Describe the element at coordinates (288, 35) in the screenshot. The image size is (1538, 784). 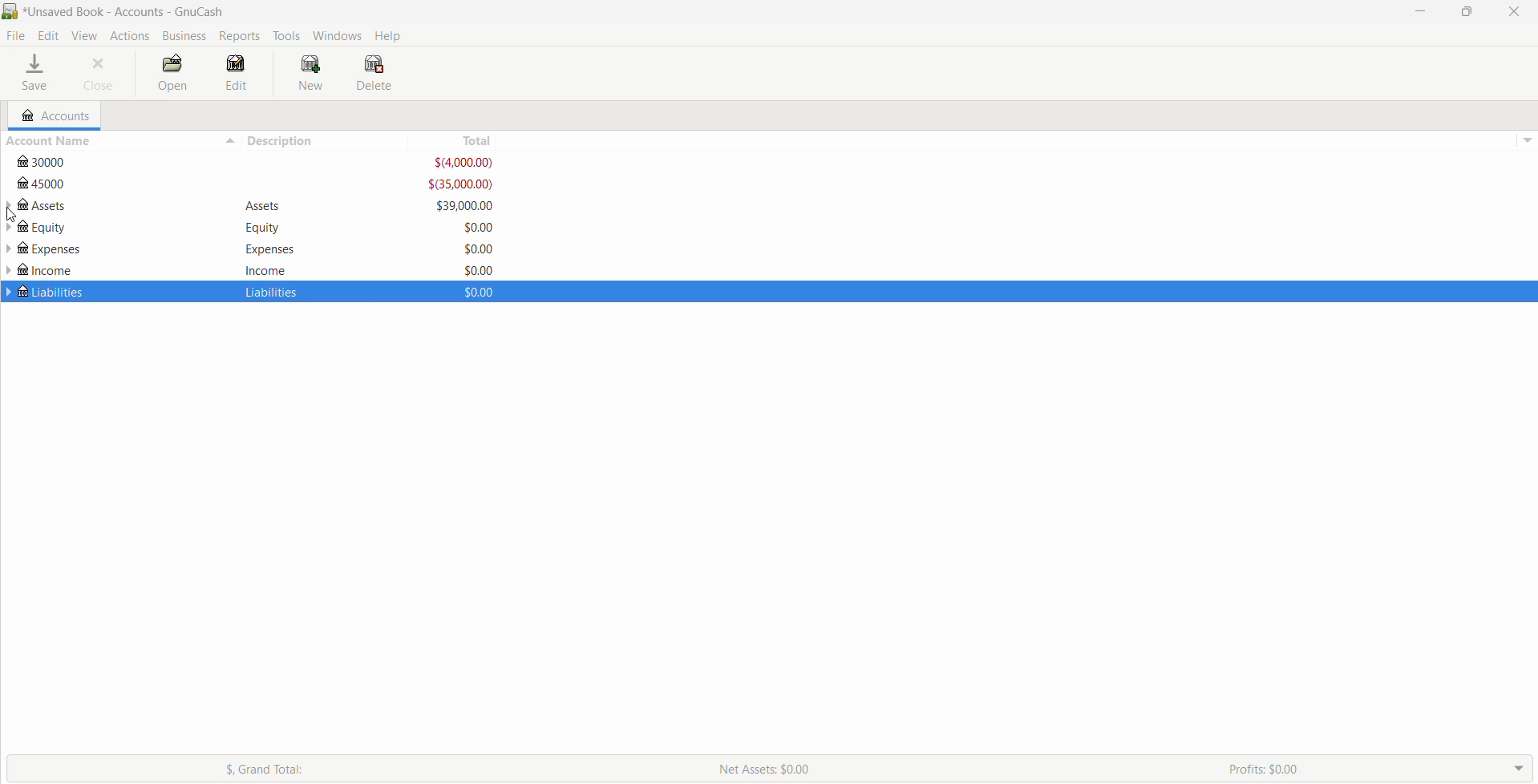
I see `Tools` at that location.